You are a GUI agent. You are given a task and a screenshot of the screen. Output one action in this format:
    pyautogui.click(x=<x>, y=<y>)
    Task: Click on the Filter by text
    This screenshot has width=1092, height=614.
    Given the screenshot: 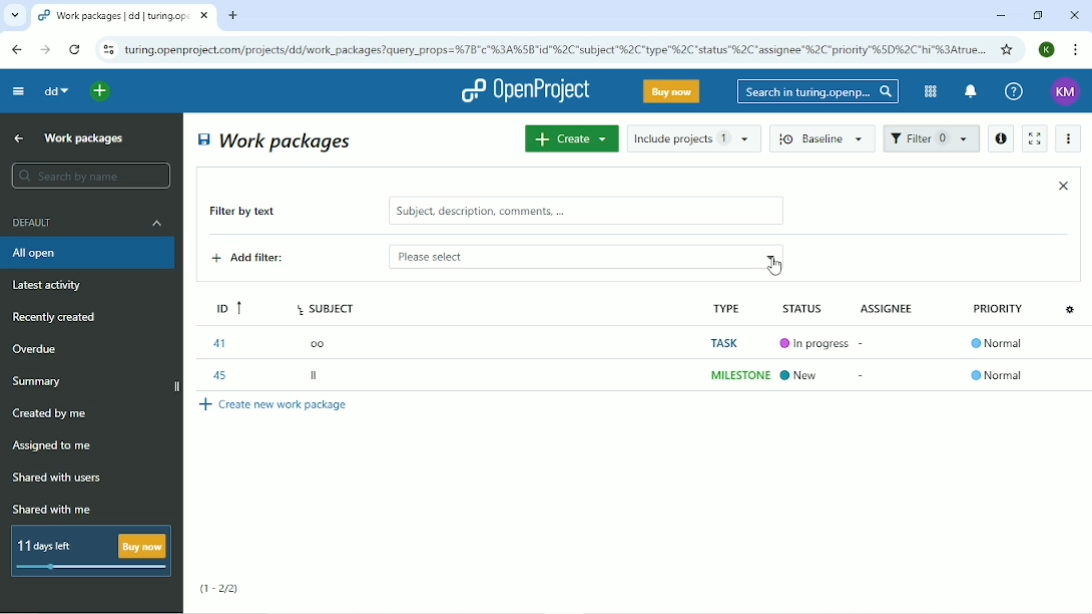 What is the action you would take?
    pyautogui.click(x=257, y=213)
    